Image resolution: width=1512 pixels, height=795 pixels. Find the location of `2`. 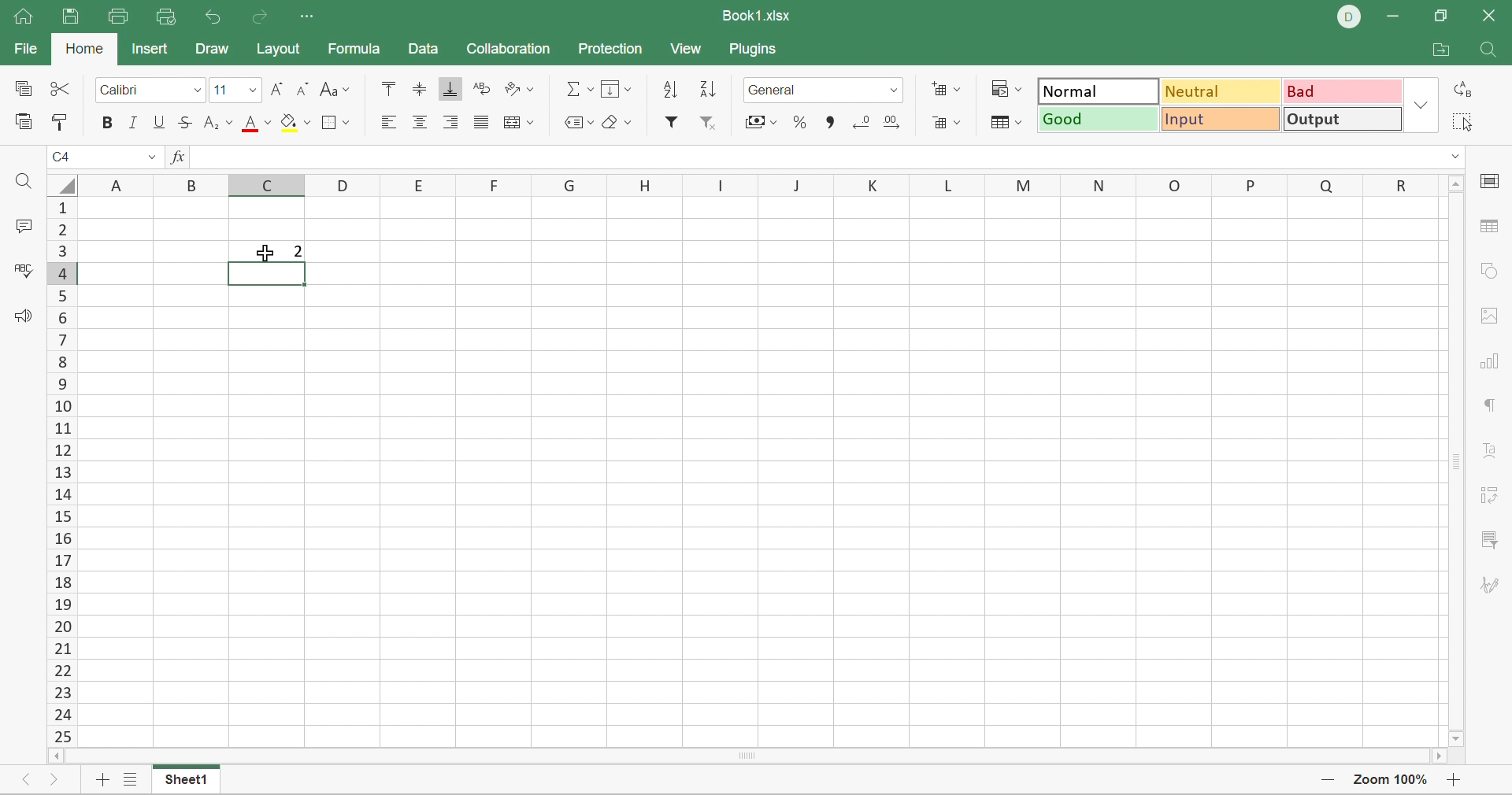

2 is located at coordinates (301, 252).